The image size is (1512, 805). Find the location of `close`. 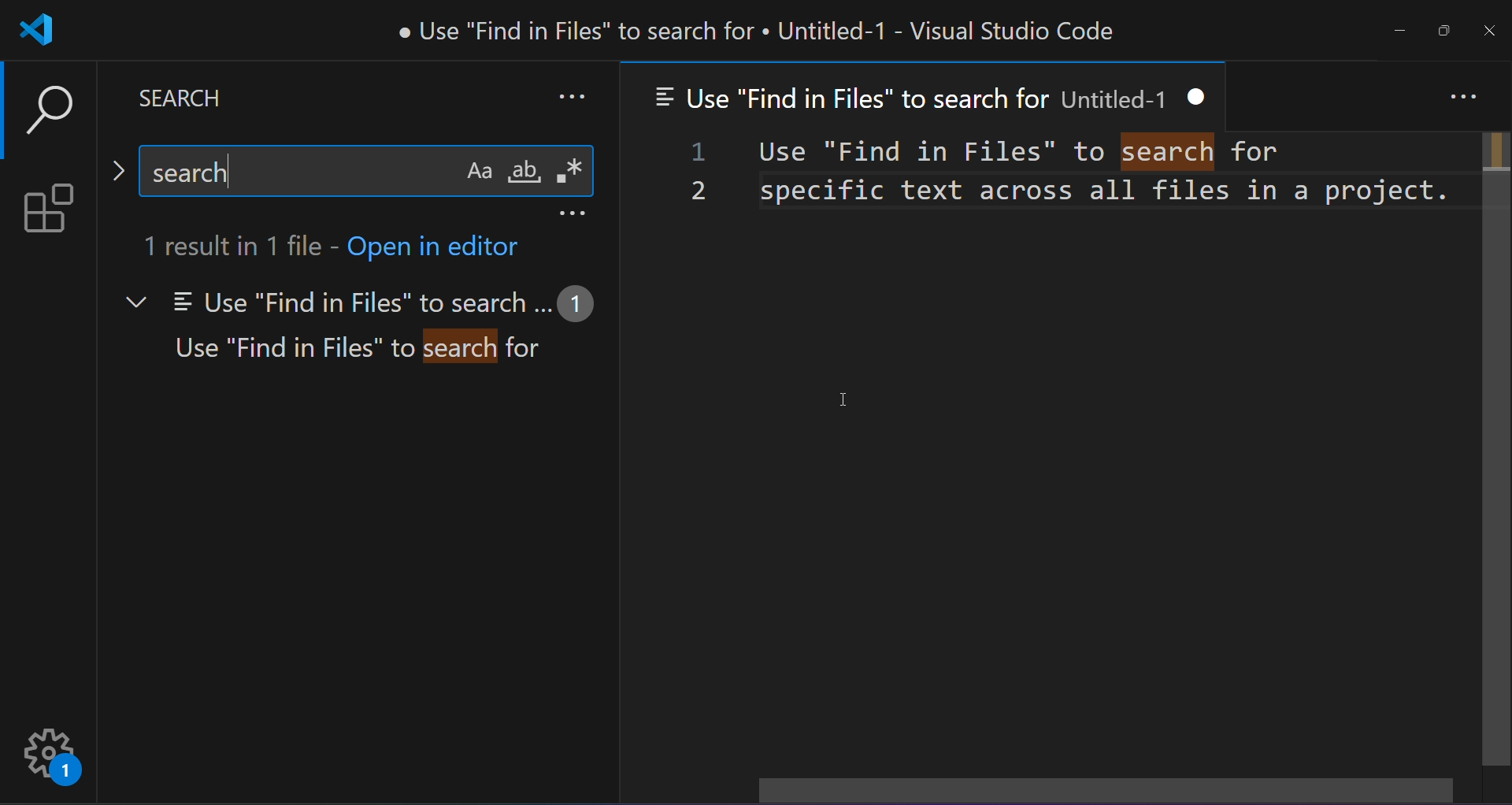

close is located at coordinates (1489, 31).